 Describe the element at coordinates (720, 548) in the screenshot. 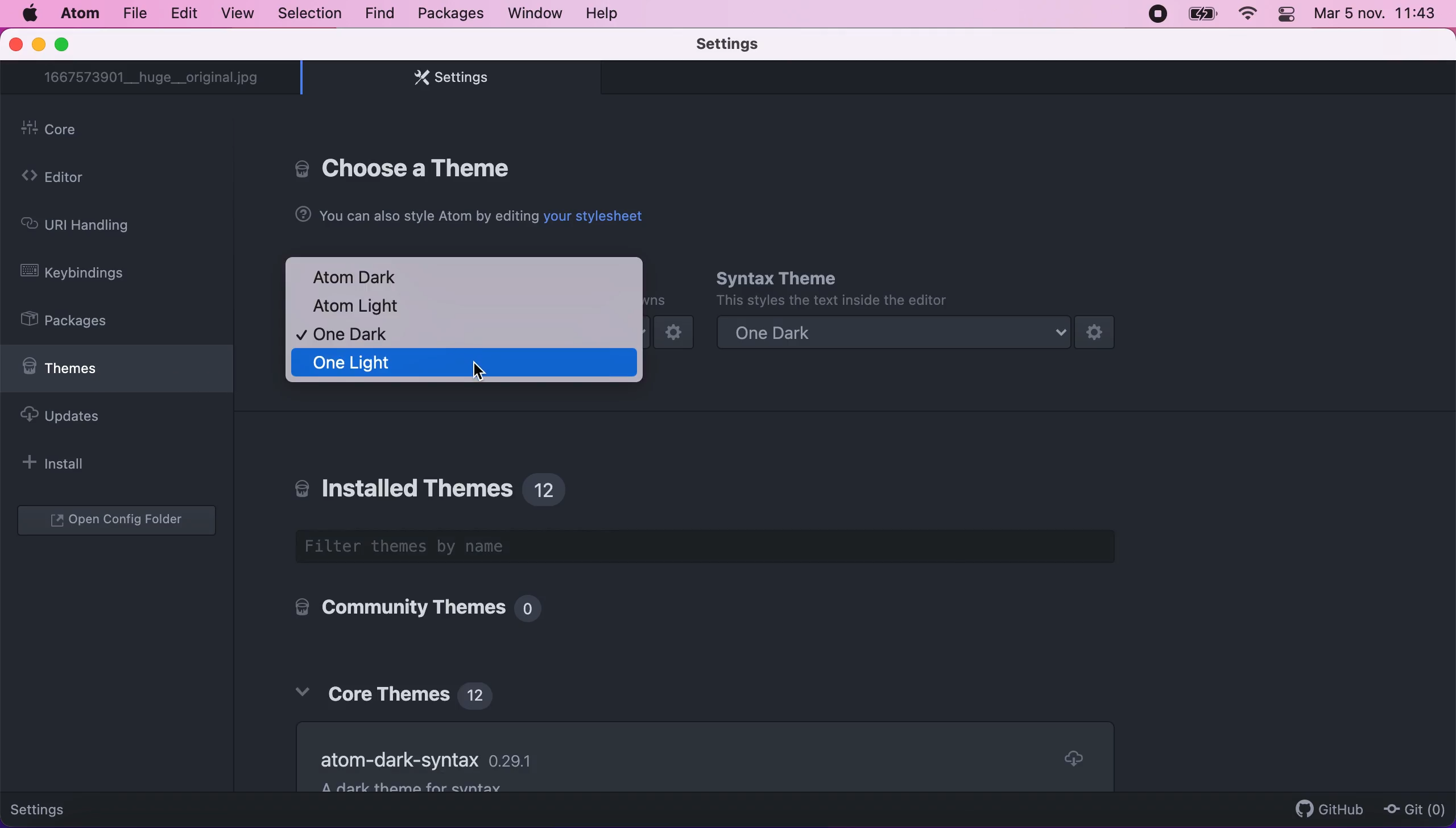

I see `filter themes by name` at that location.